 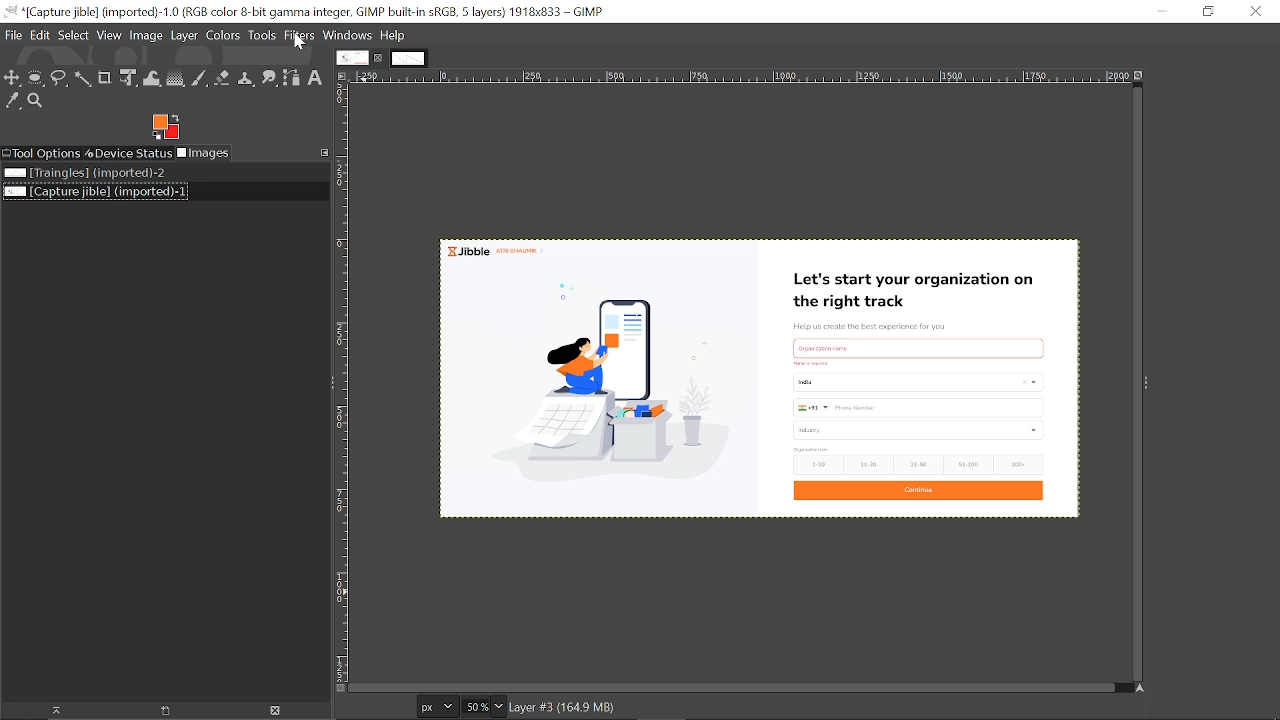 I want to click on Windows, so click(x=348, y=35).